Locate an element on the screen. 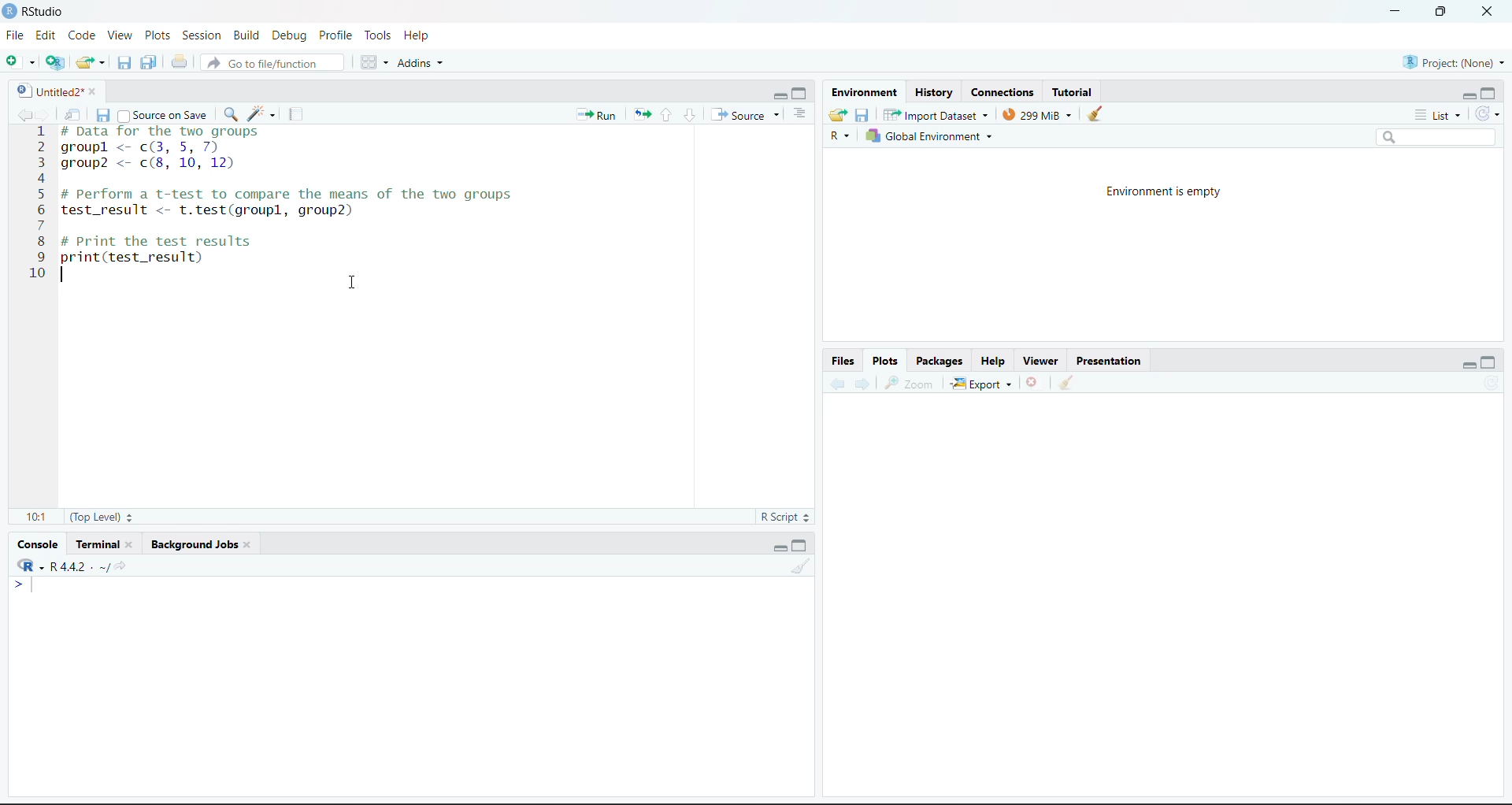 The image size is (1512, 805). source is located at coordinates (747, 115).